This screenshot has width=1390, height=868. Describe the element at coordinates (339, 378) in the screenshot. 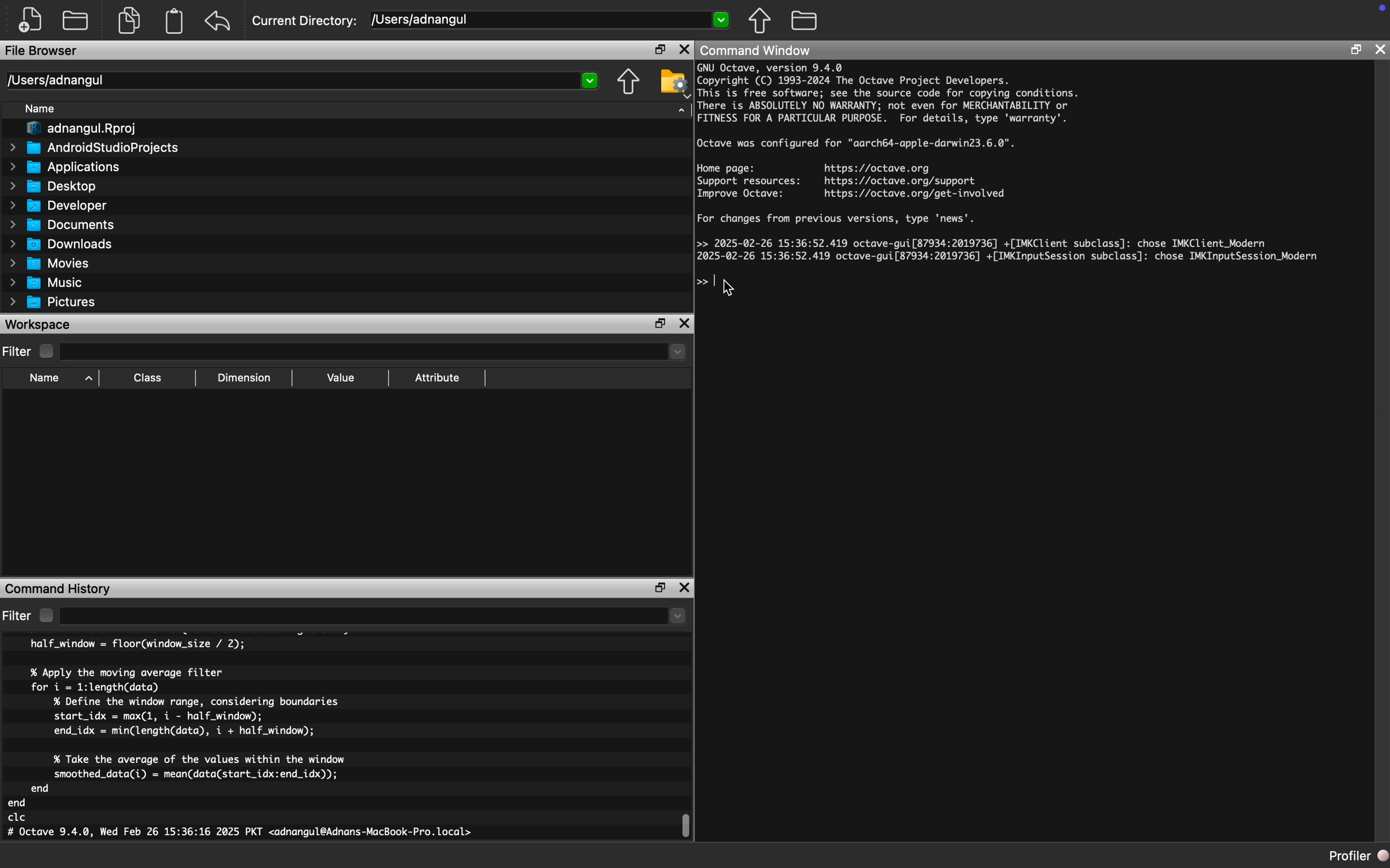

I see `Value` at that location.